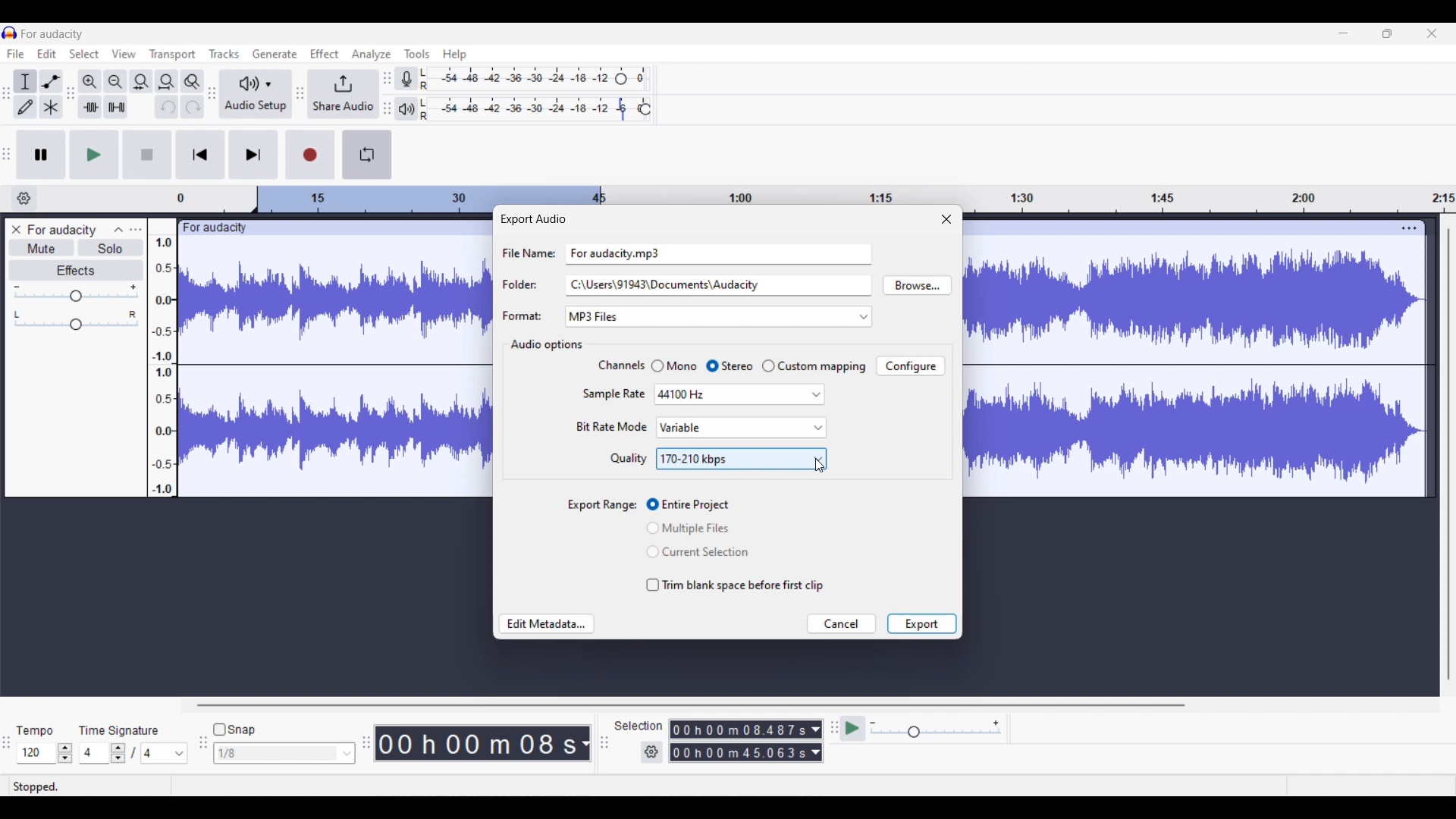 Image resolution: width=1456 pixels, height=819 pixels. Describe the element at coordinates (65, 753) in the screenshot. I see `Increase/Decrease tempo` at that location.